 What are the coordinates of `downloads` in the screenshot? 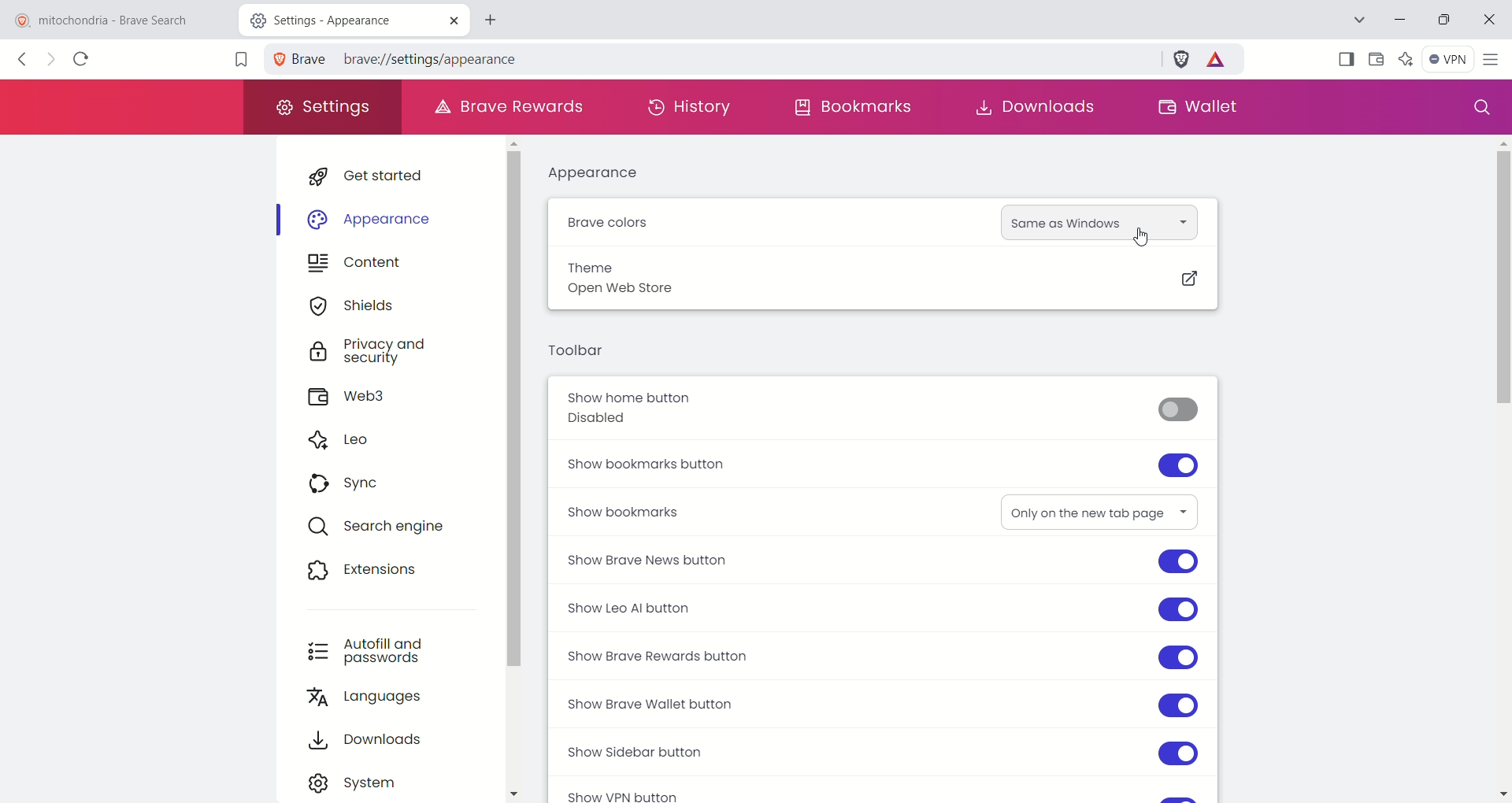 It's located at (375, 740).